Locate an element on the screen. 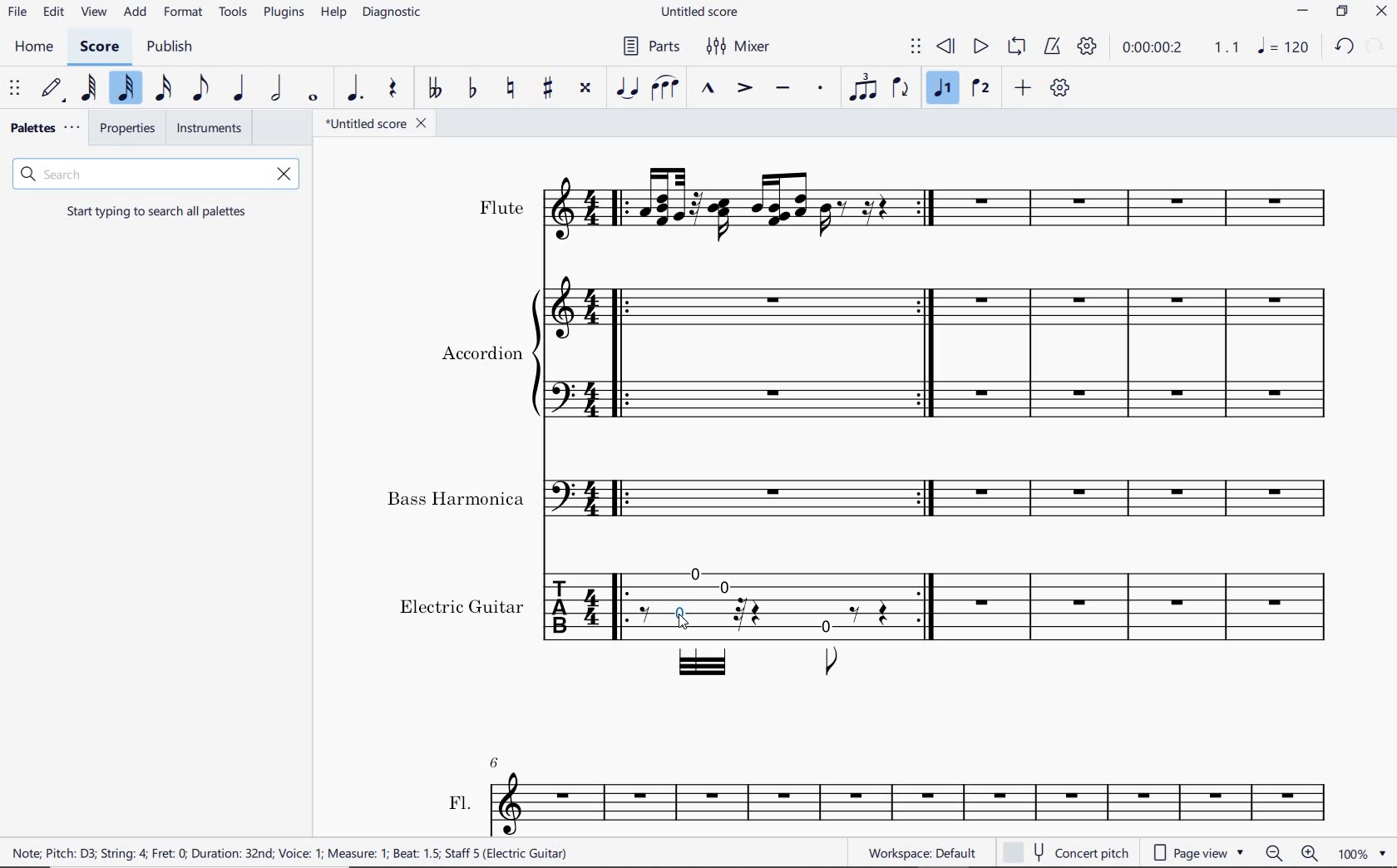 The width and height of the screenshot is (1397, 868). playback settings is located at coordinates (1086, 47).